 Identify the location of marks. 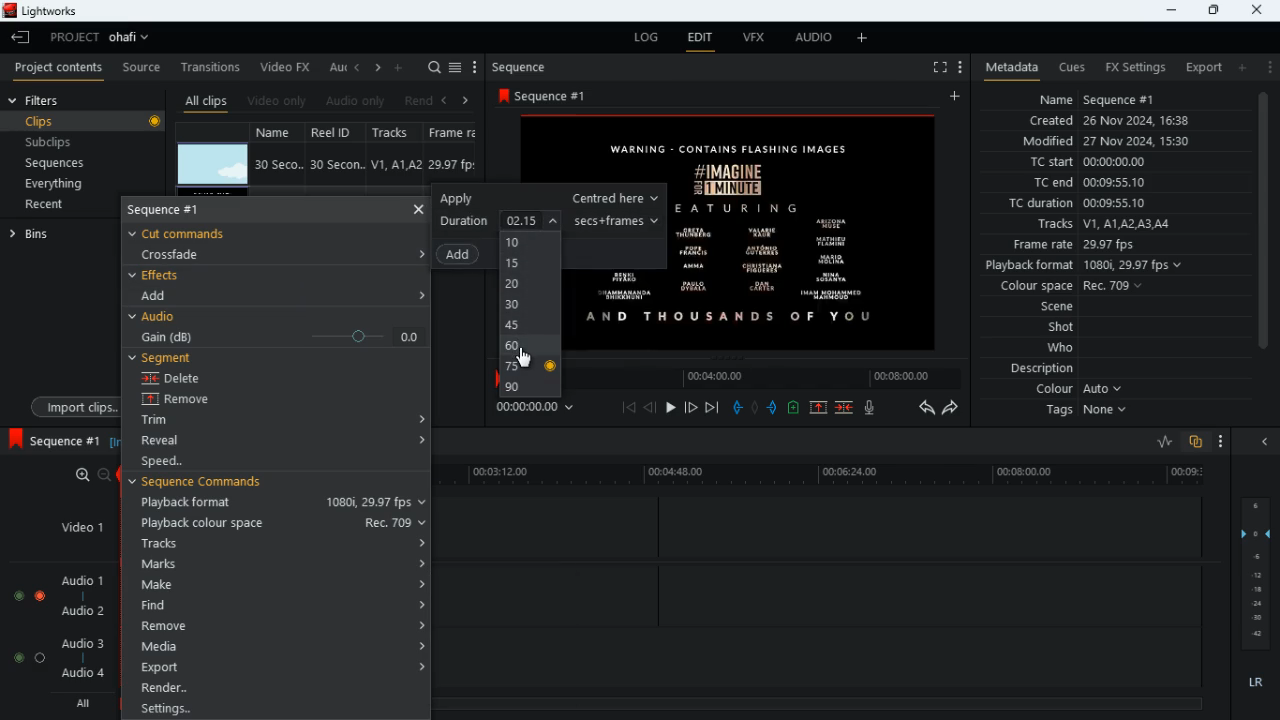
(283, 564).